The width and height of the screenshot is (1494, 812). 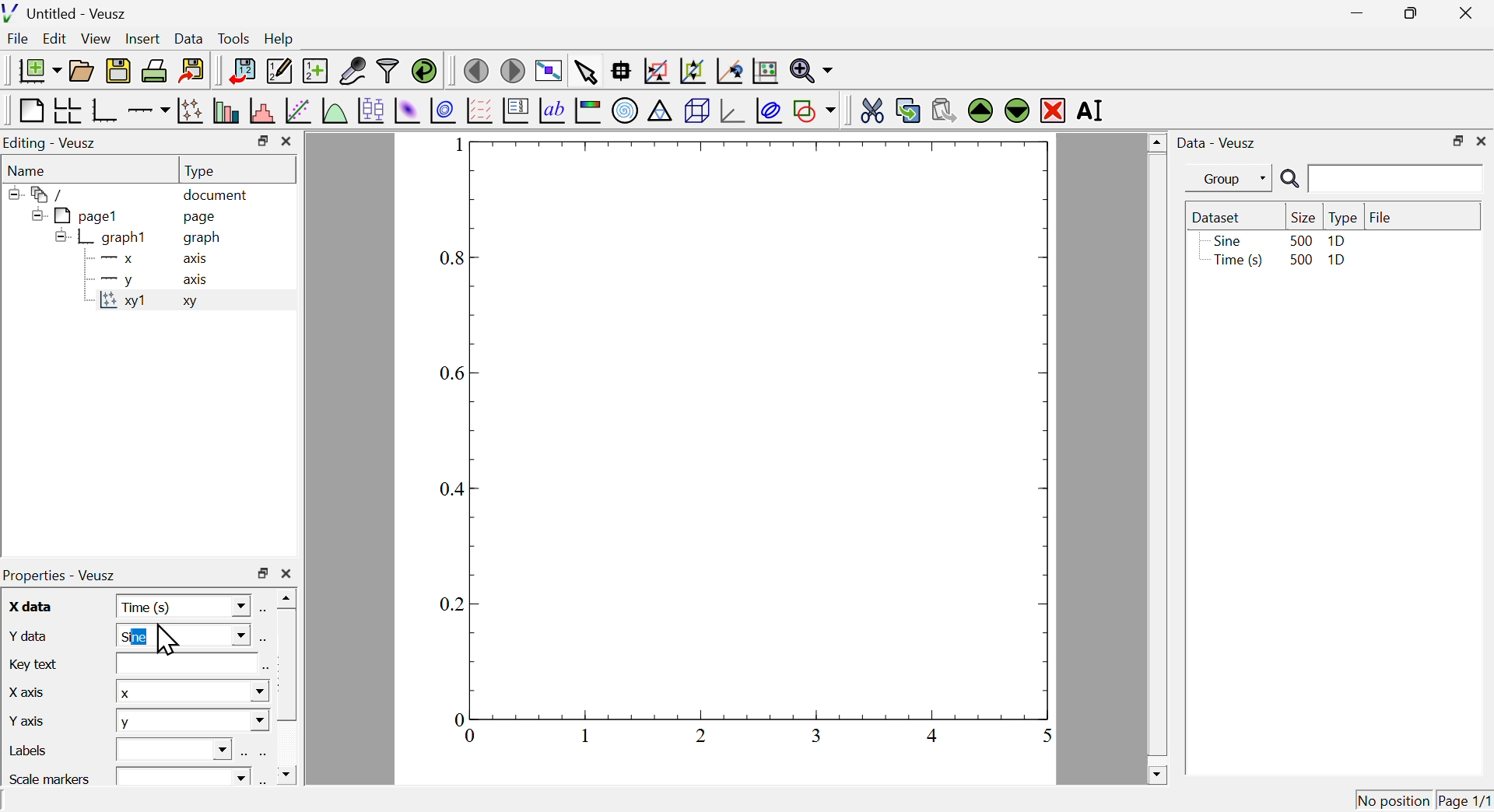 What do you see at coordinates (189, 37) in the screenshot?
I see `Data` at bounding box center [189, 37].